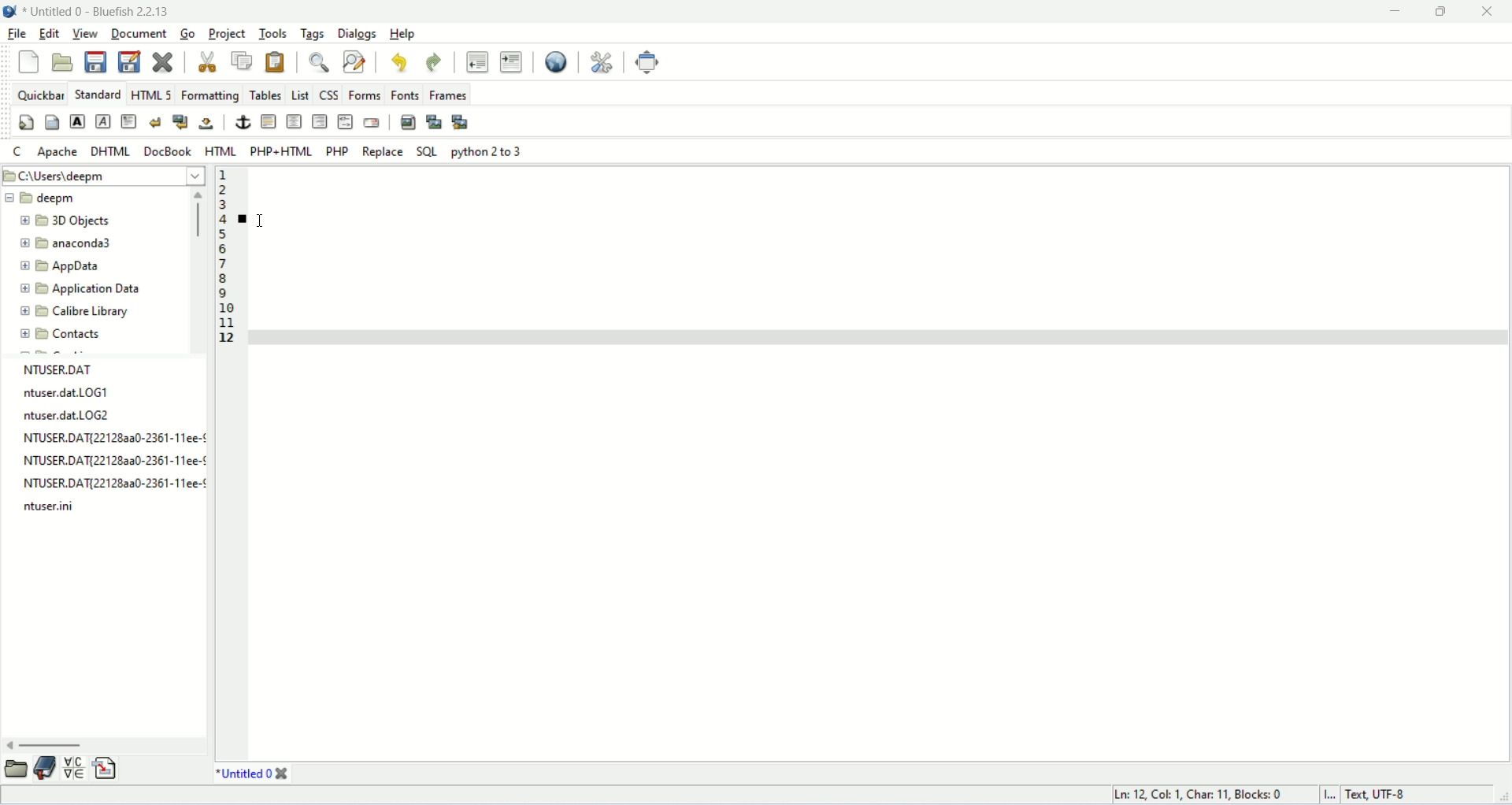 The width and height of the screenshot is (1512, 805). What do you see at coordinates (228, 35) in the screenshot?
I see `project` at bounding box center [228, 35].